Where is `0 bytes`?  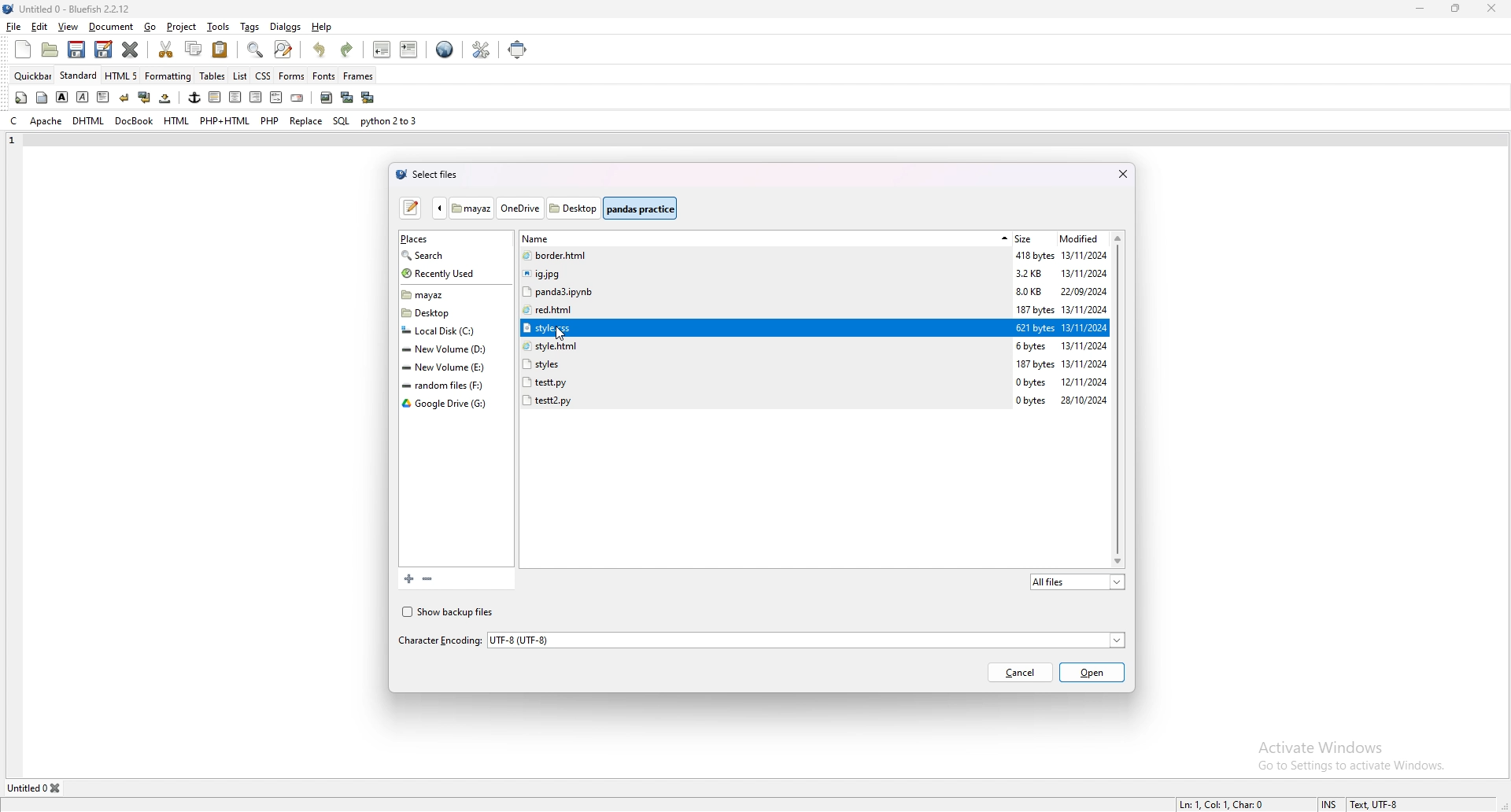
0 bytes is located at coordinates (1032, 383).